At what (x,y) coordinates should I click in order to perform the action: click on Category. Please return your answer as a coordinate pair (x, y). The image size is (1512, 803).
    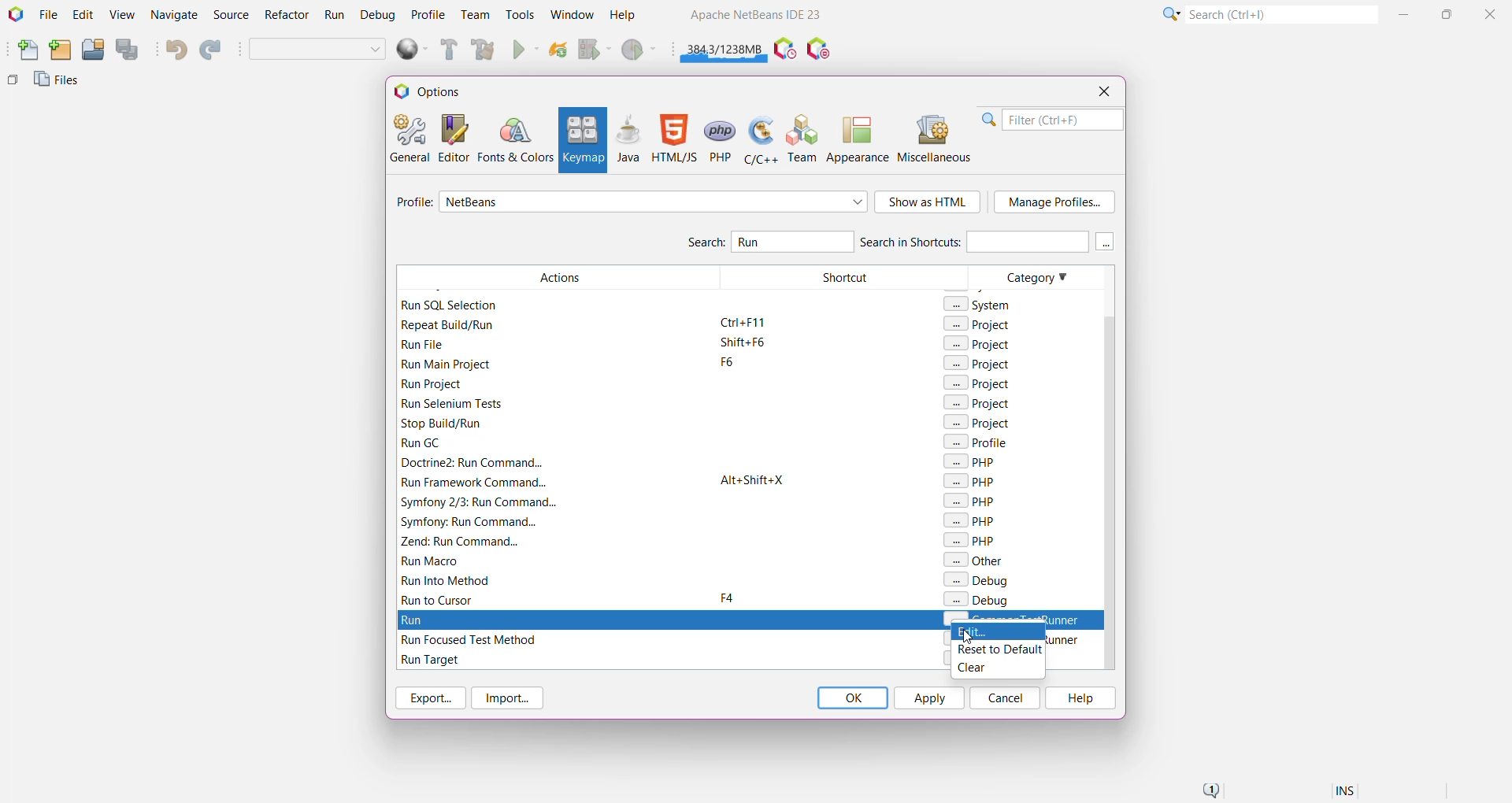
    Looking at the image, I should click on (1032, 436).